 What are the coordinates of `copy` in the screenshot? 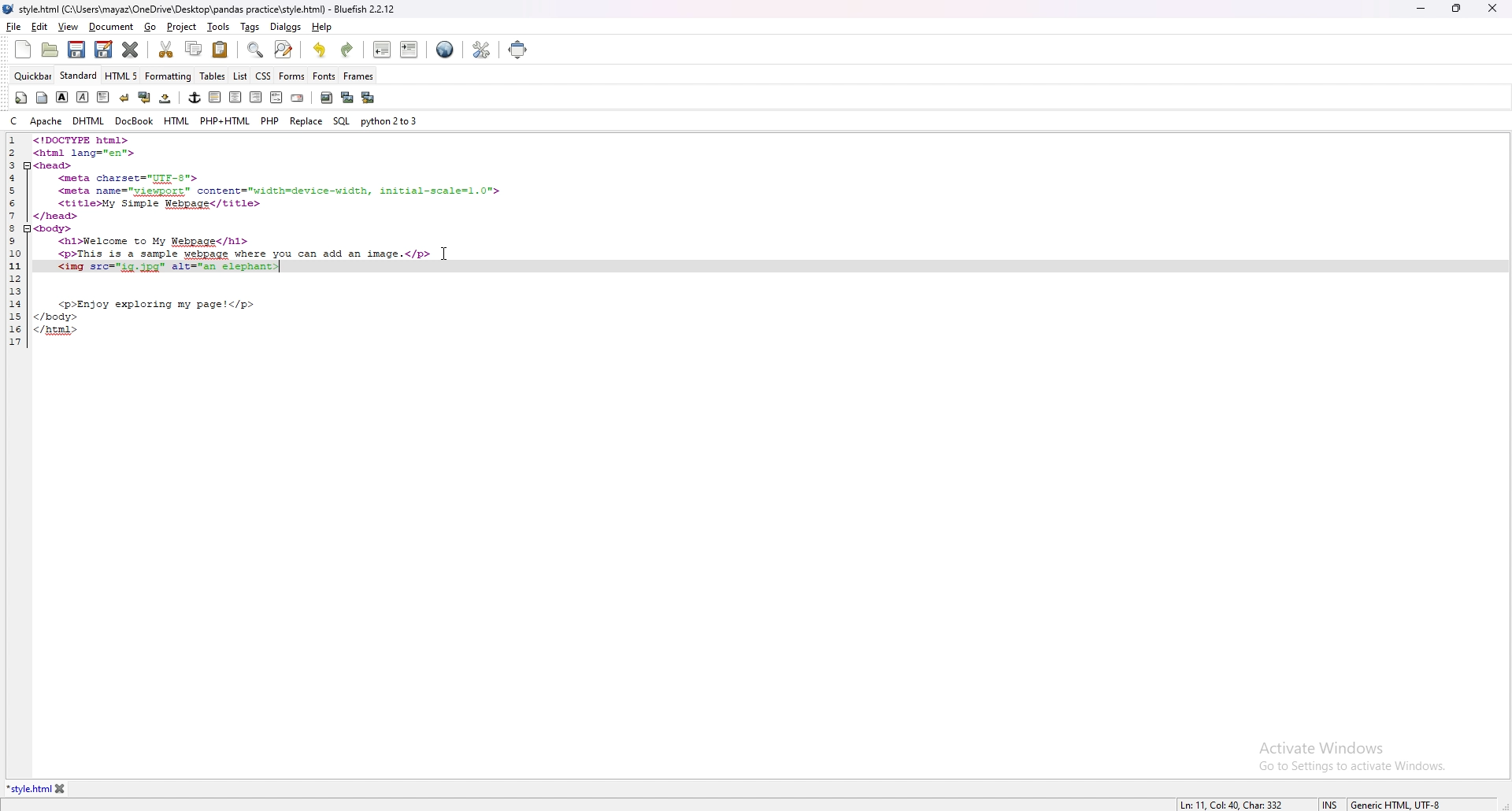 It's located at (193, 49).